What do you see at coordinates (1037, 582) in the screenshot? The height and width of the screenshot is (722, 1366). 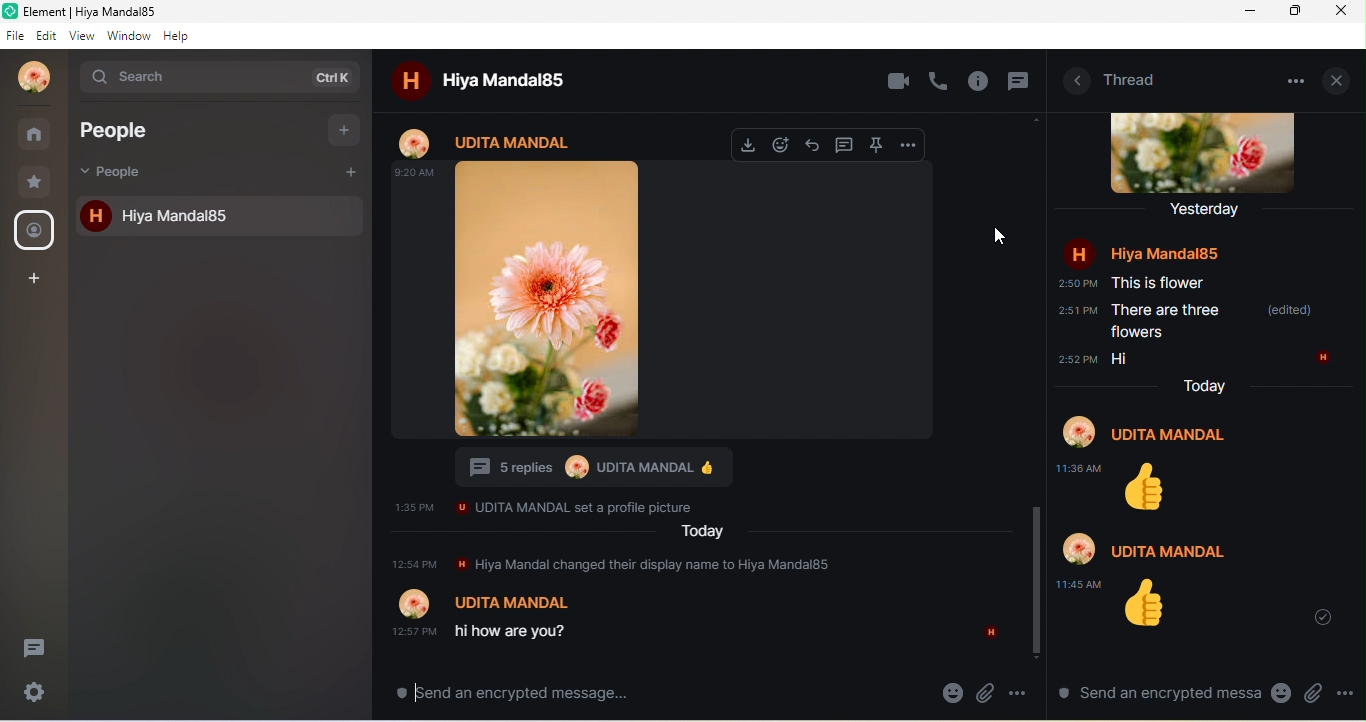 I see `vertical scroll bar` at bounding box center [1037, 582].